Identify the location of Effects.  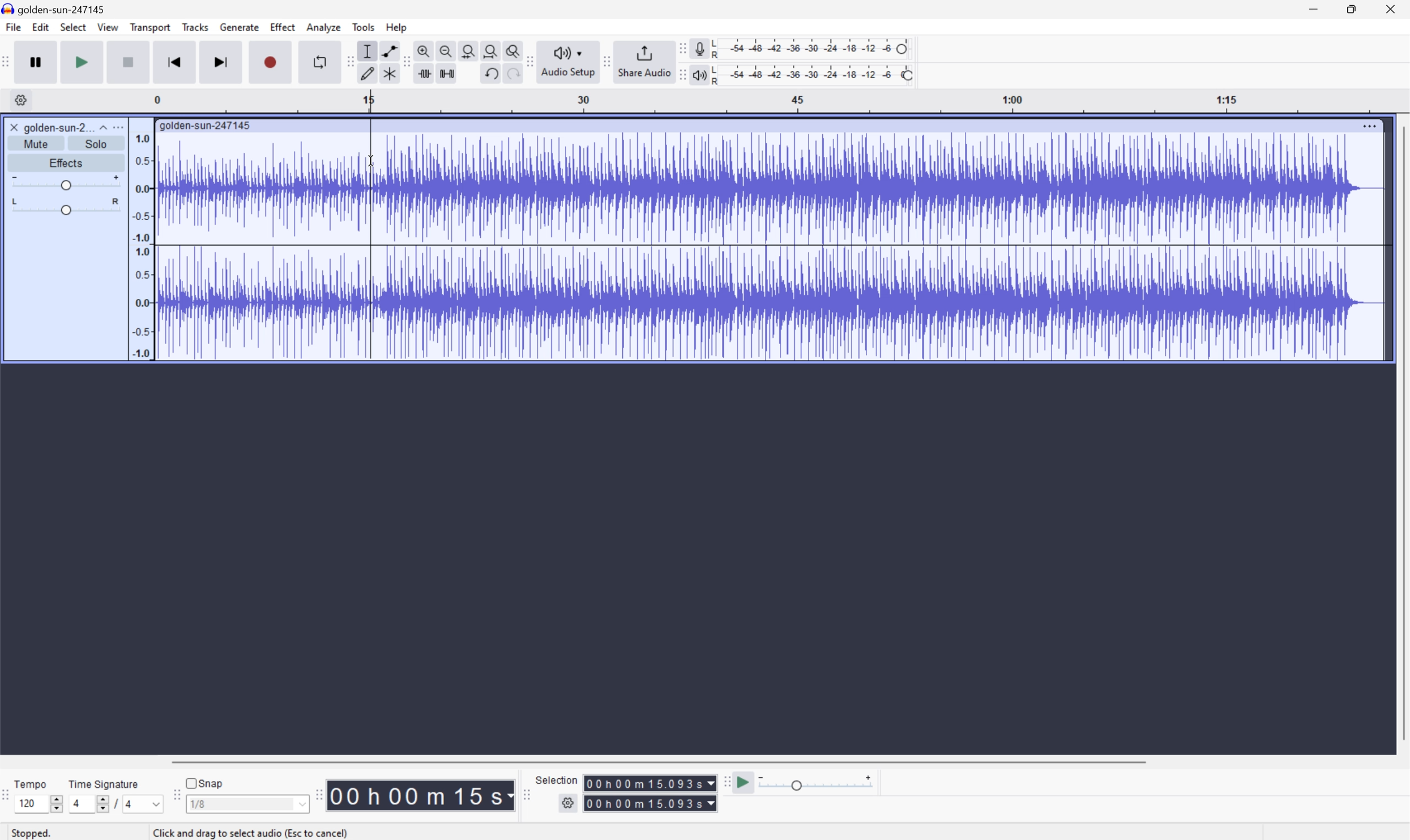
(66, 162).